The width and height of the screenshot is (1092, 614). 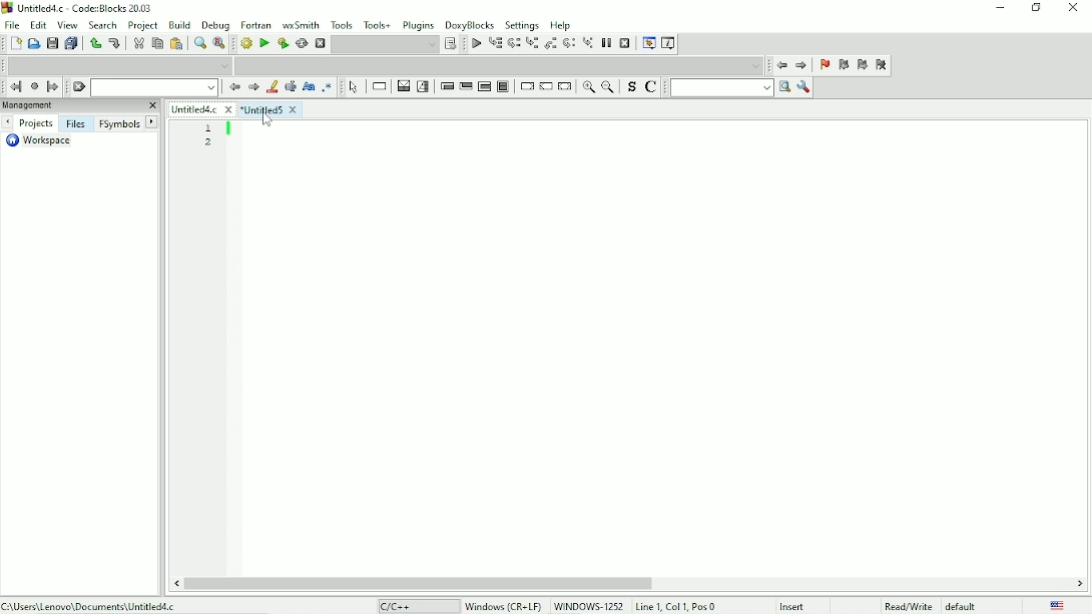 What do you see at coordinates (668, 43) in the screenshot?
I see `Various info` at bounding box center [668, 43].